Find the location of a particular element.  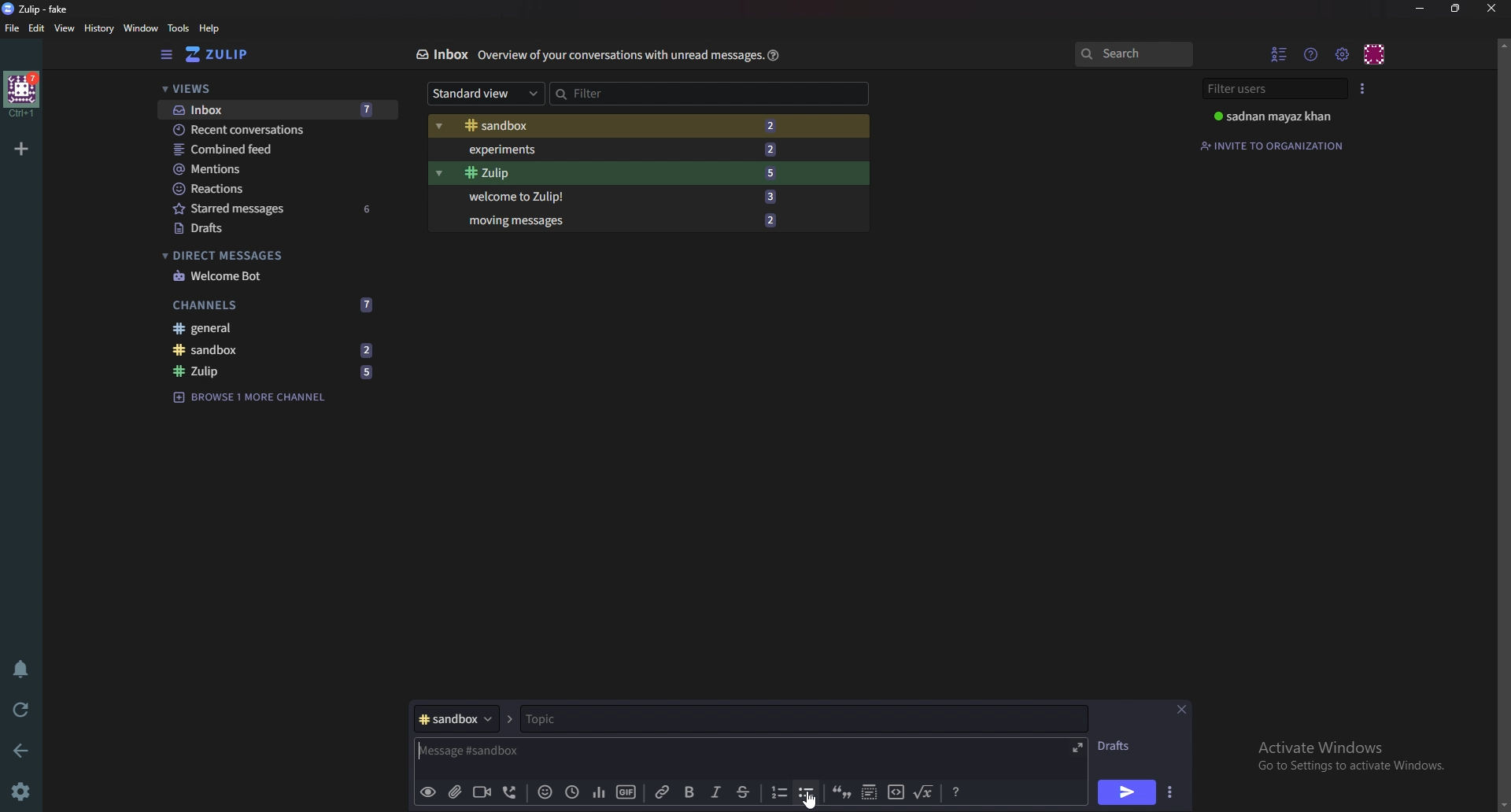

Inbox is located at coordinates (276, 111).